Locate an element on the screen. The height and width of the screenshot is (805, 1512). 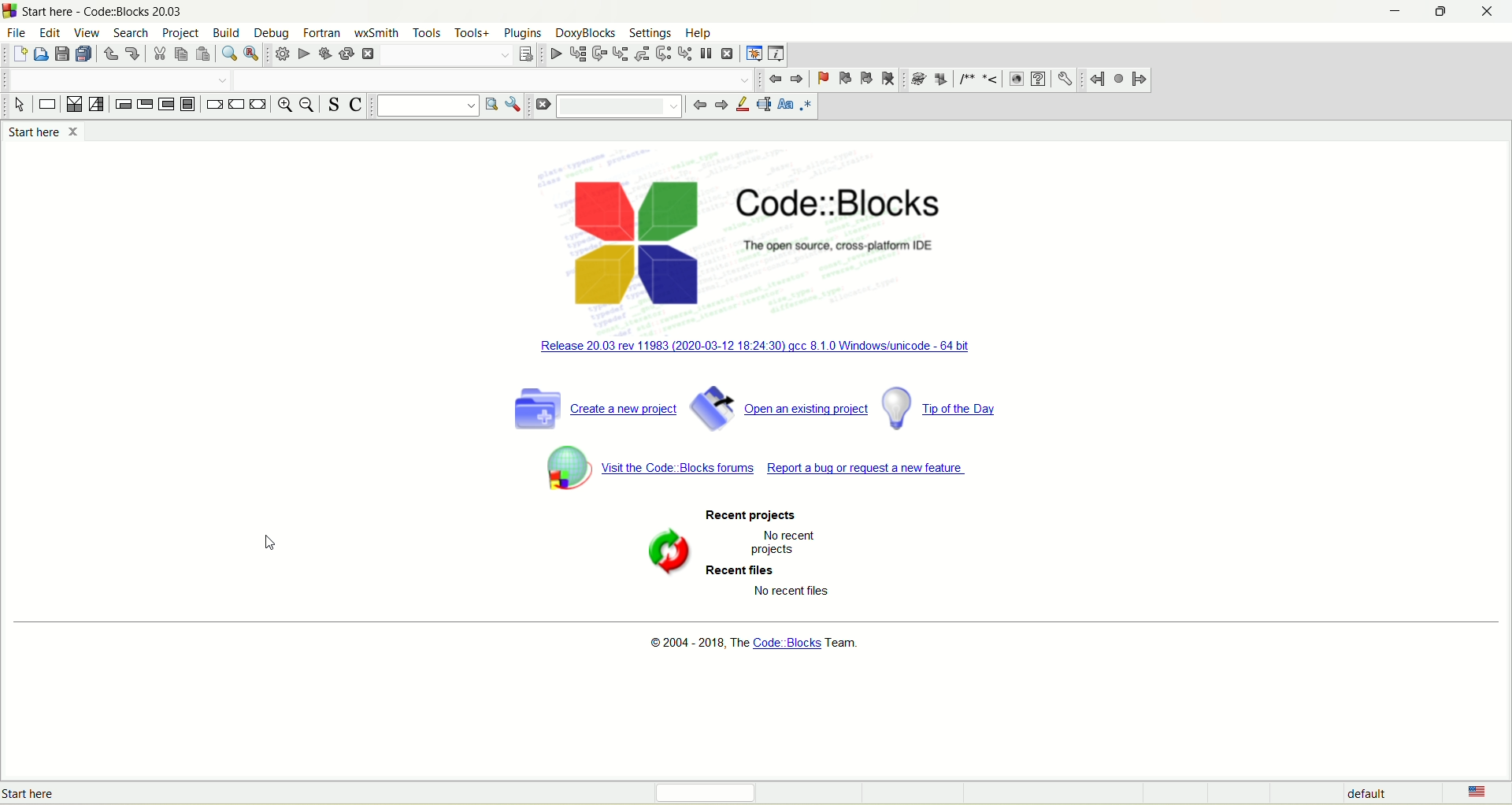
entry condition loop is located at coordinates (124, 105).